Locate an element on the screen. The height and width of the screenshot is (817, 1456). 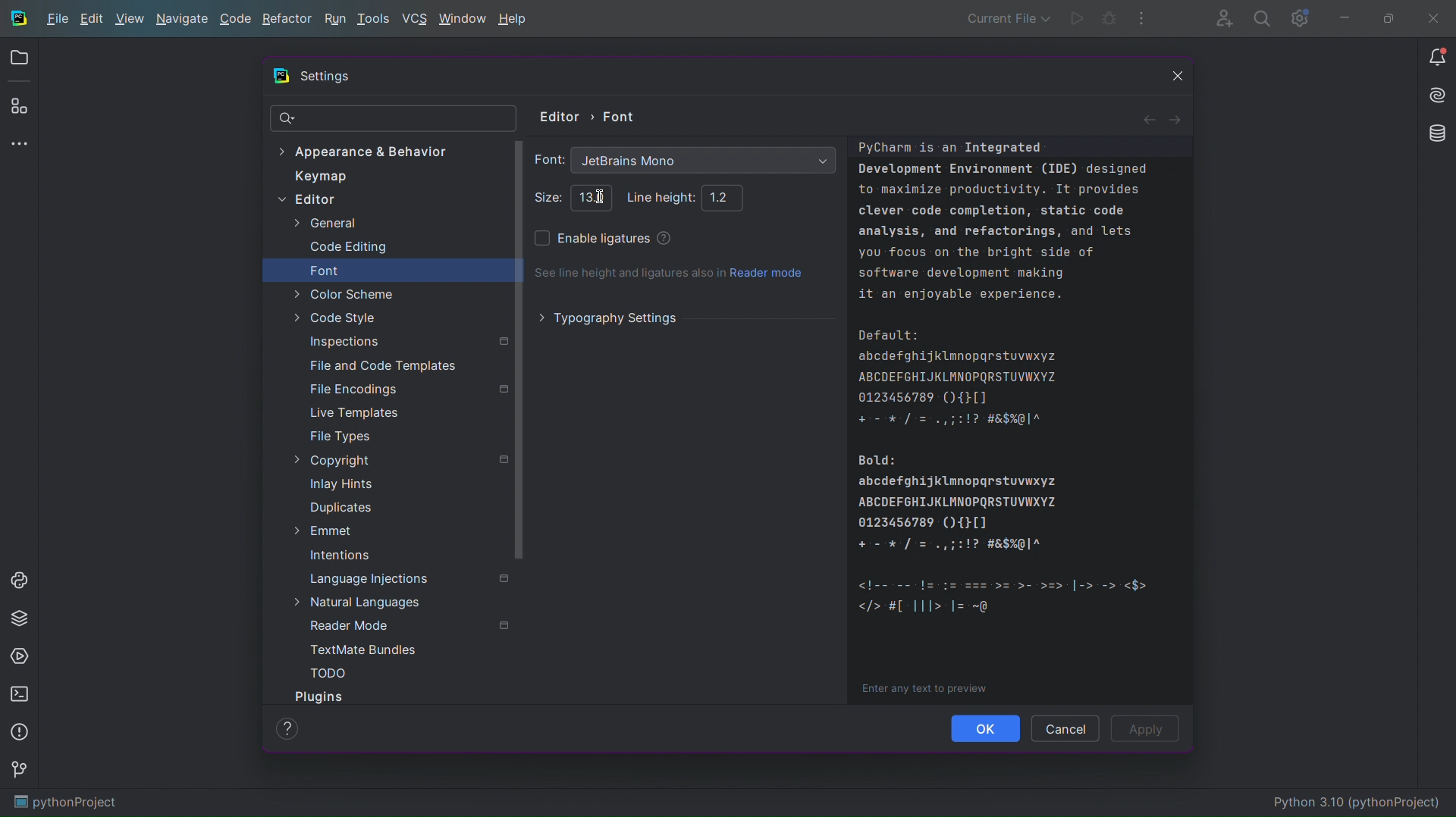
Settings is located at coordinates (1300, 19).